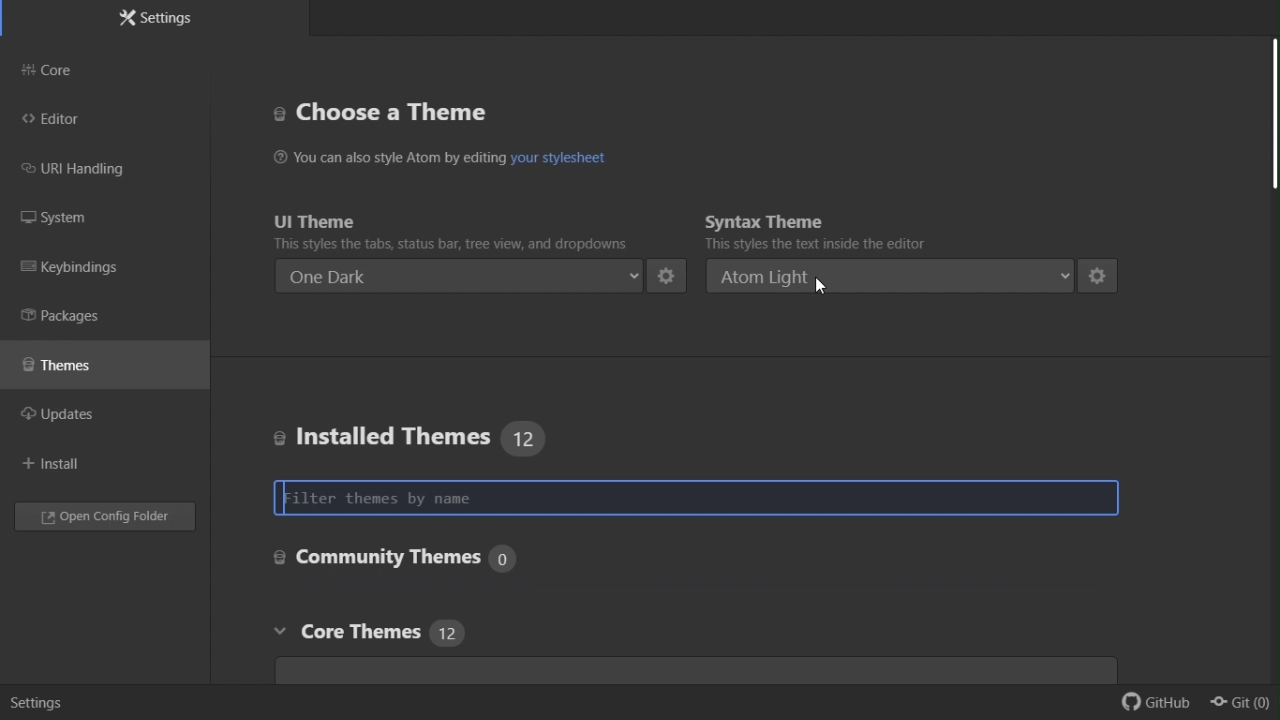 This screenshot has width=1280, height=720. Describe the element at coordinates (393, 115) in the screenshot. I see `Choose a theme` at that location.